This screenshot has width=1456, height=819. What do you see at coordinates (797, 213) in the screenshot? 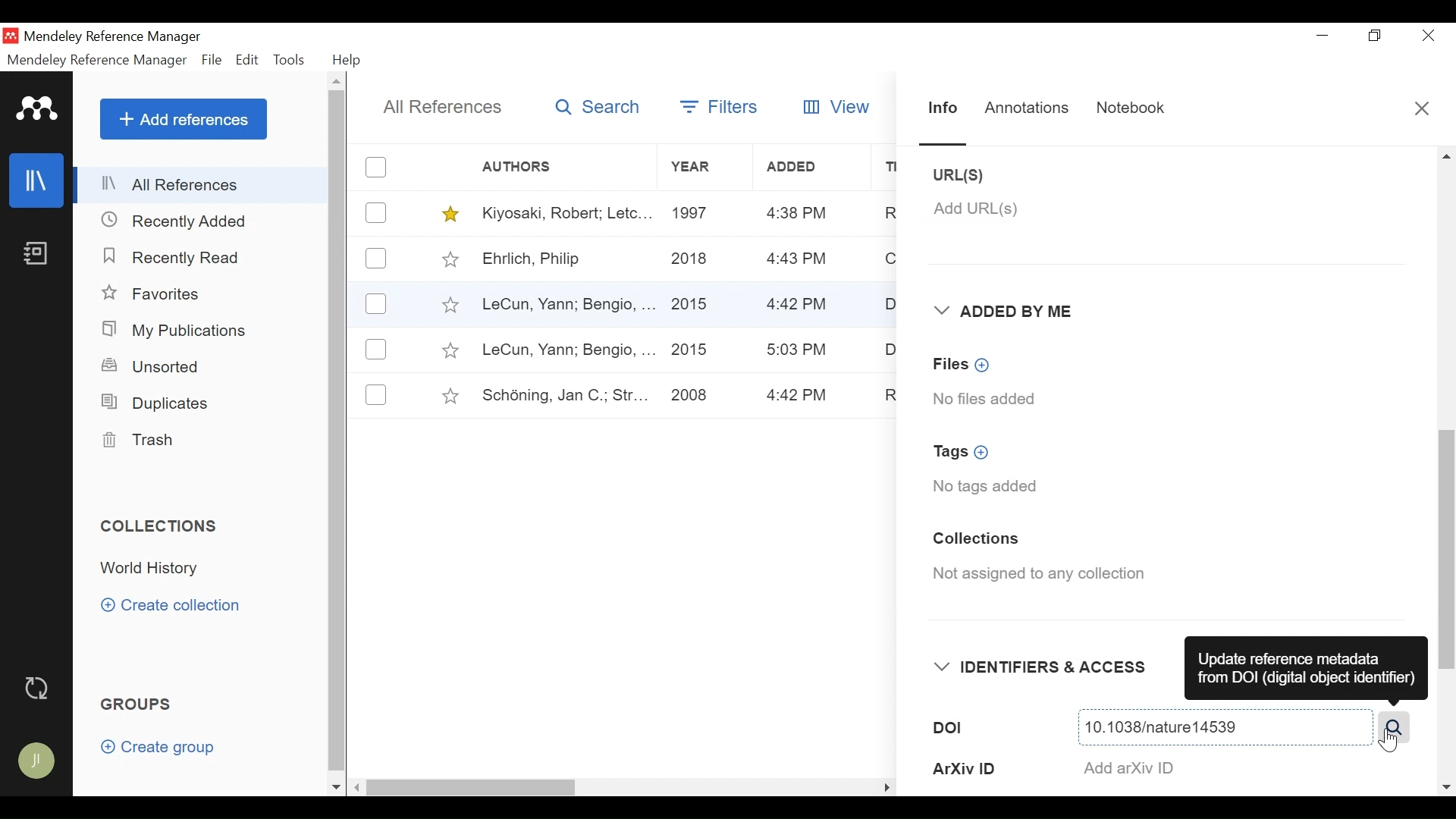
I see `4:38 PM` at bounding box center [797, 213].